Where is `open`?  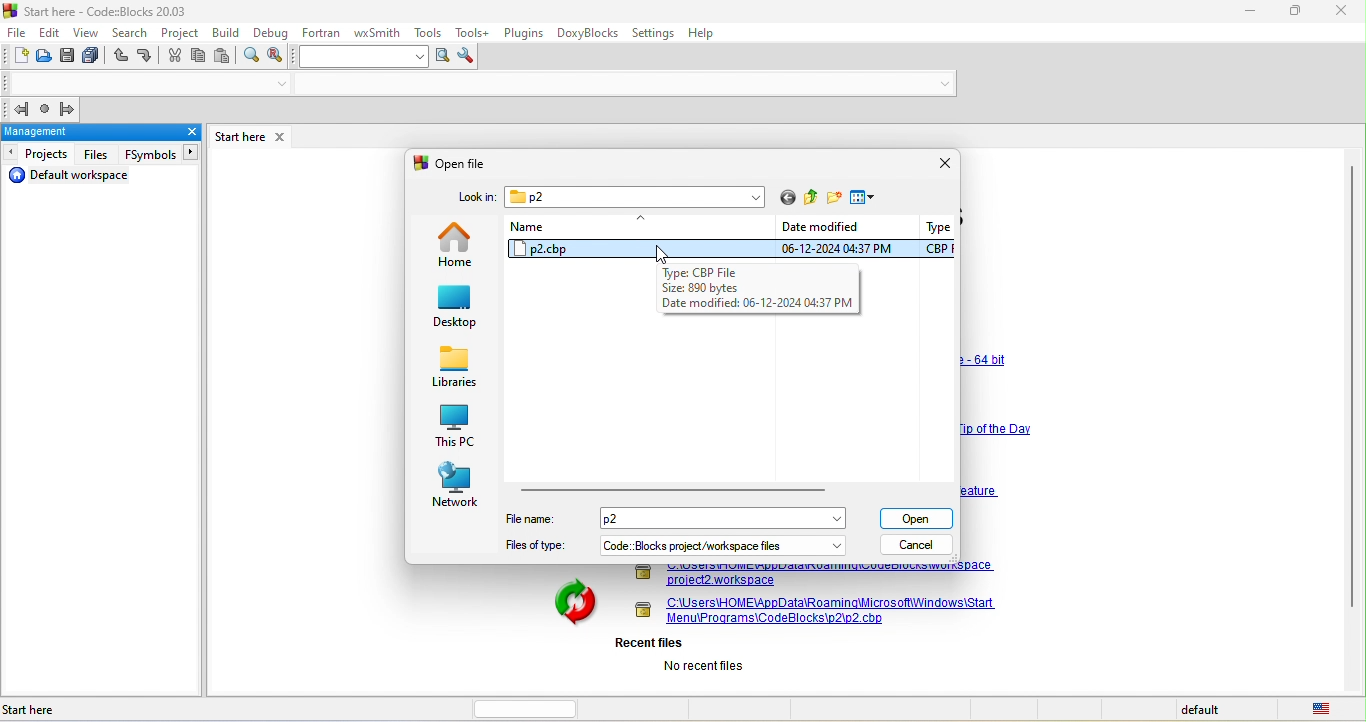 open is located at coordinates (915, 518).